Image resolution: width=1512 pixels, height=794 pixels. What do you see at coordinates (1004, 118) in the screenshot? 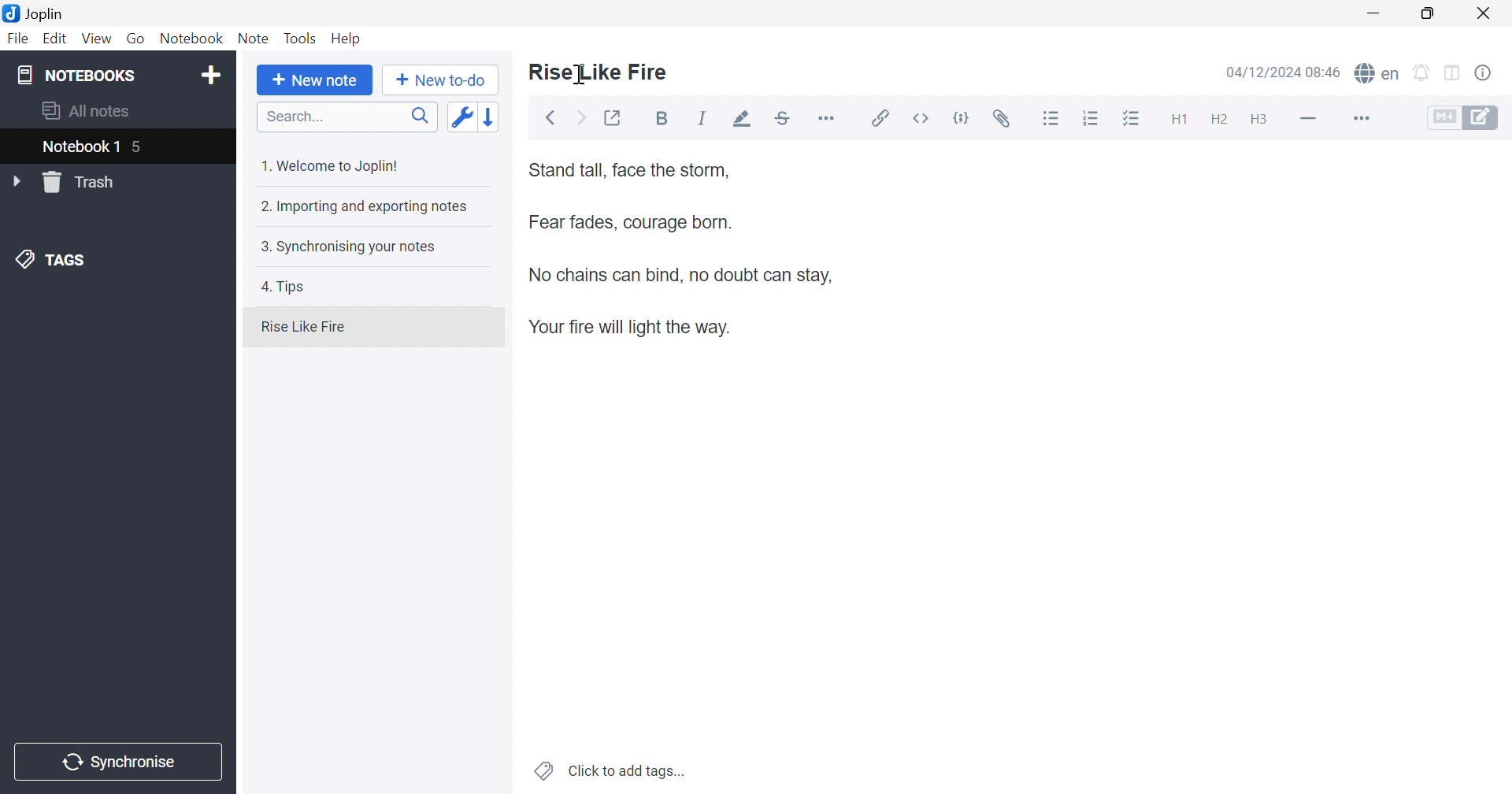
I see `Attach file` at bounding box center [1004, 118].